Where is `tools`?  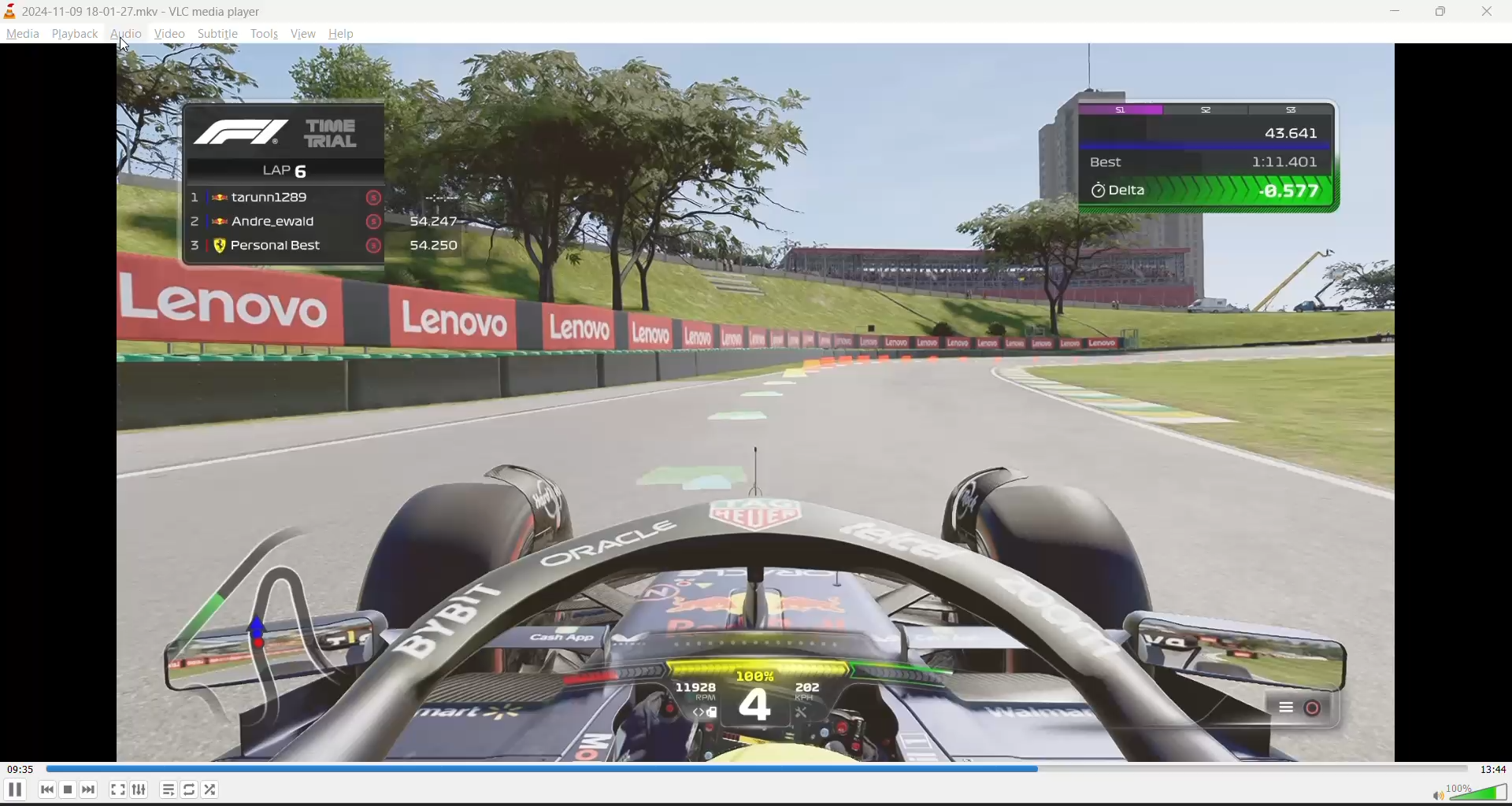
tools is located at coordinates (264, 36).